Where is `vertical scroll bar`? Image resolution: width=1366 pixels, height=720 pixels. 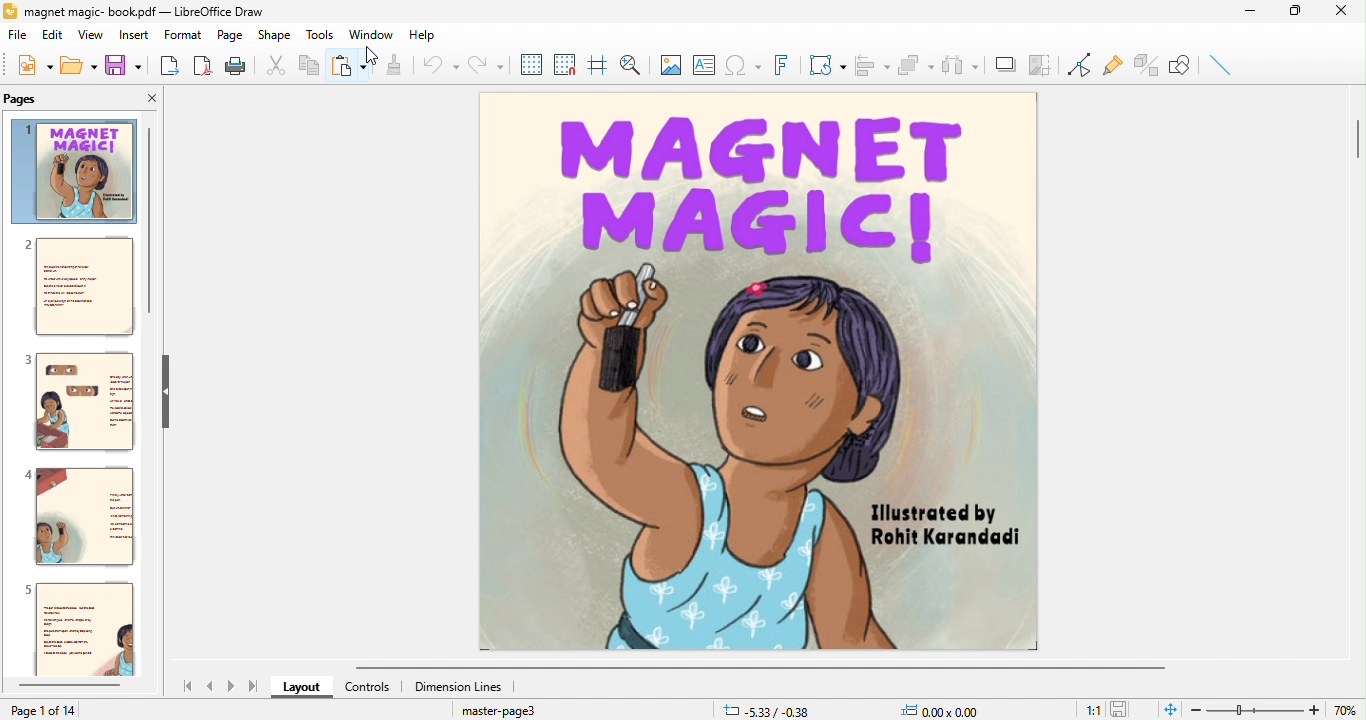
vertical scroll bar is located at coordinates (149, 220).